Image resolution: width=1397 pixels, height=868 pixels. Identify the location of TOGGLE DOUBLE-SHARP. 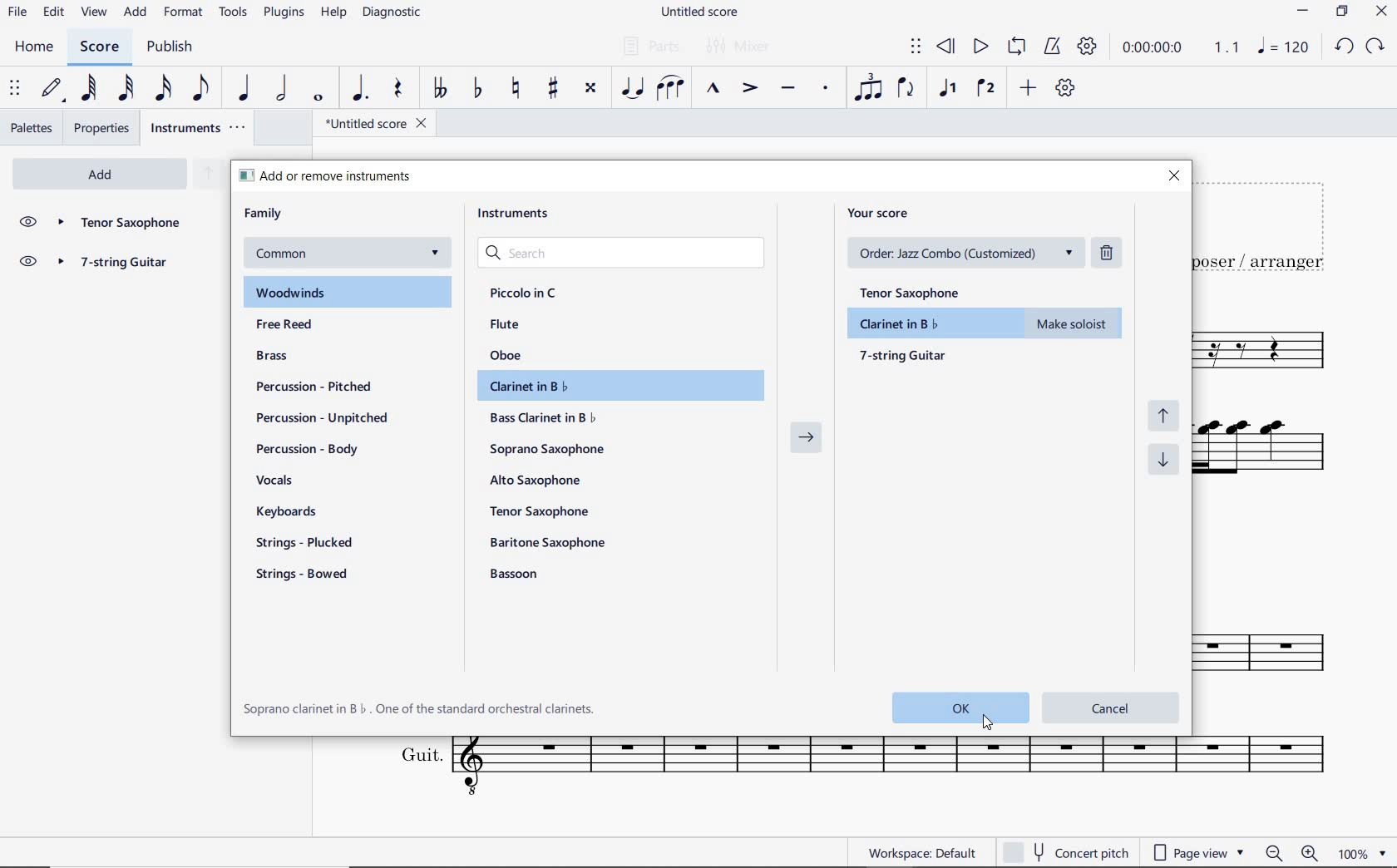
(590, 90).